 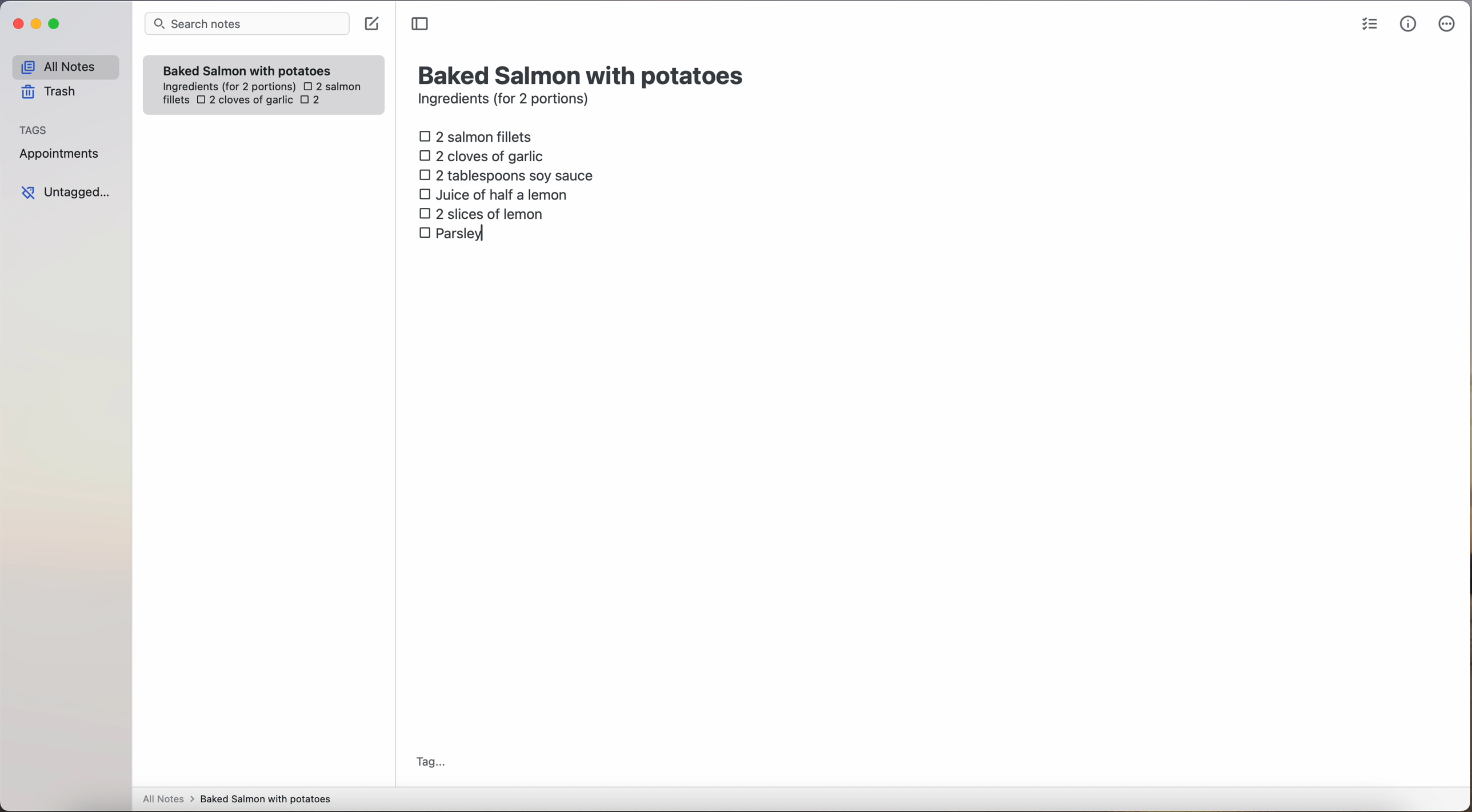 What do you see at coordinates (65, 66) in the screenshot?
I see `all notes` at bounding box center [65, 66].